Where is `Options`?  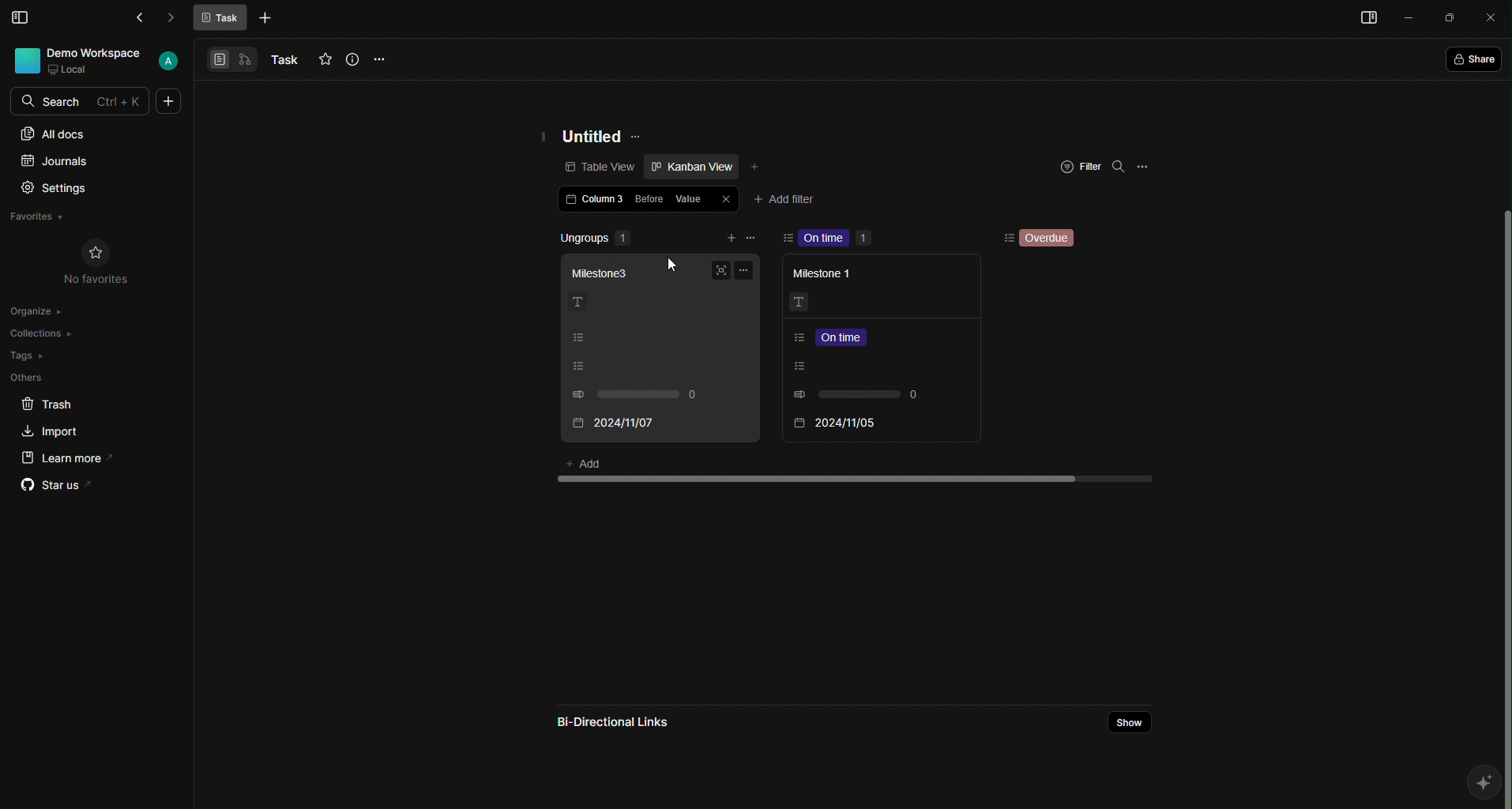
Options is located at coordinates (1143, 167).